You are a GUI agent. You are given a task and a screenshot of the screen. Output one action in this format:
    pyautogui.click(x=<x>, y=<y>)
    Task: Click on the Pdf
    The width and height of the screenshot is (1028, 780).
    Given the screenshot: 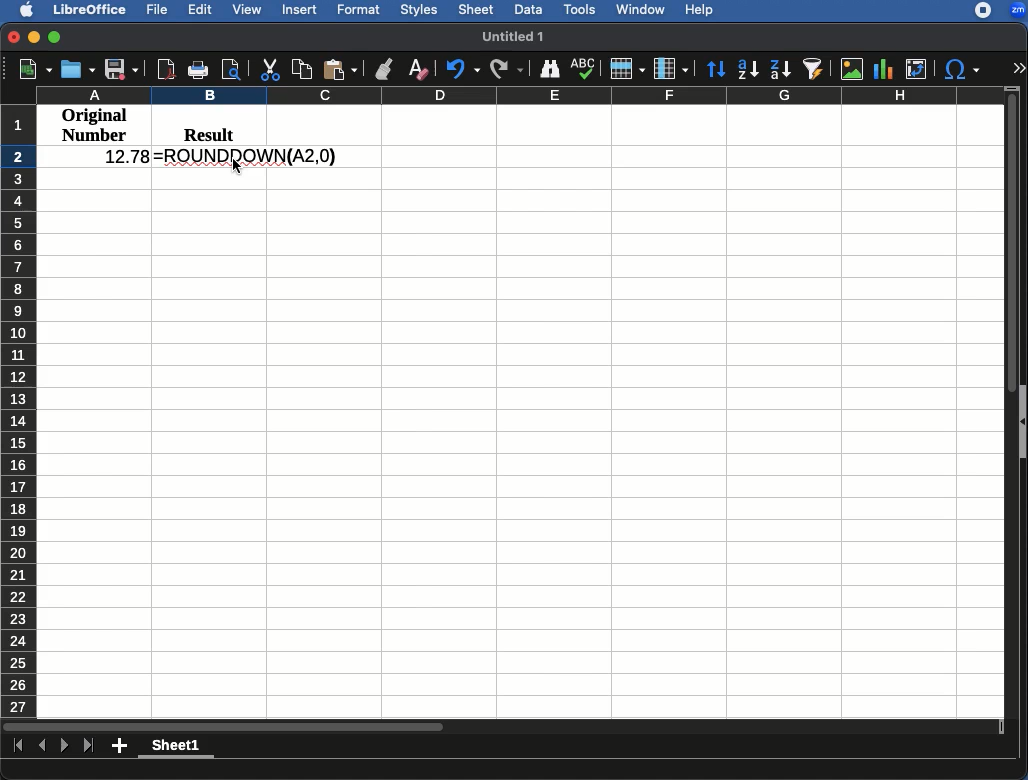 What is the action you would take?
    pyautogui.click(x=165, y=68)
    